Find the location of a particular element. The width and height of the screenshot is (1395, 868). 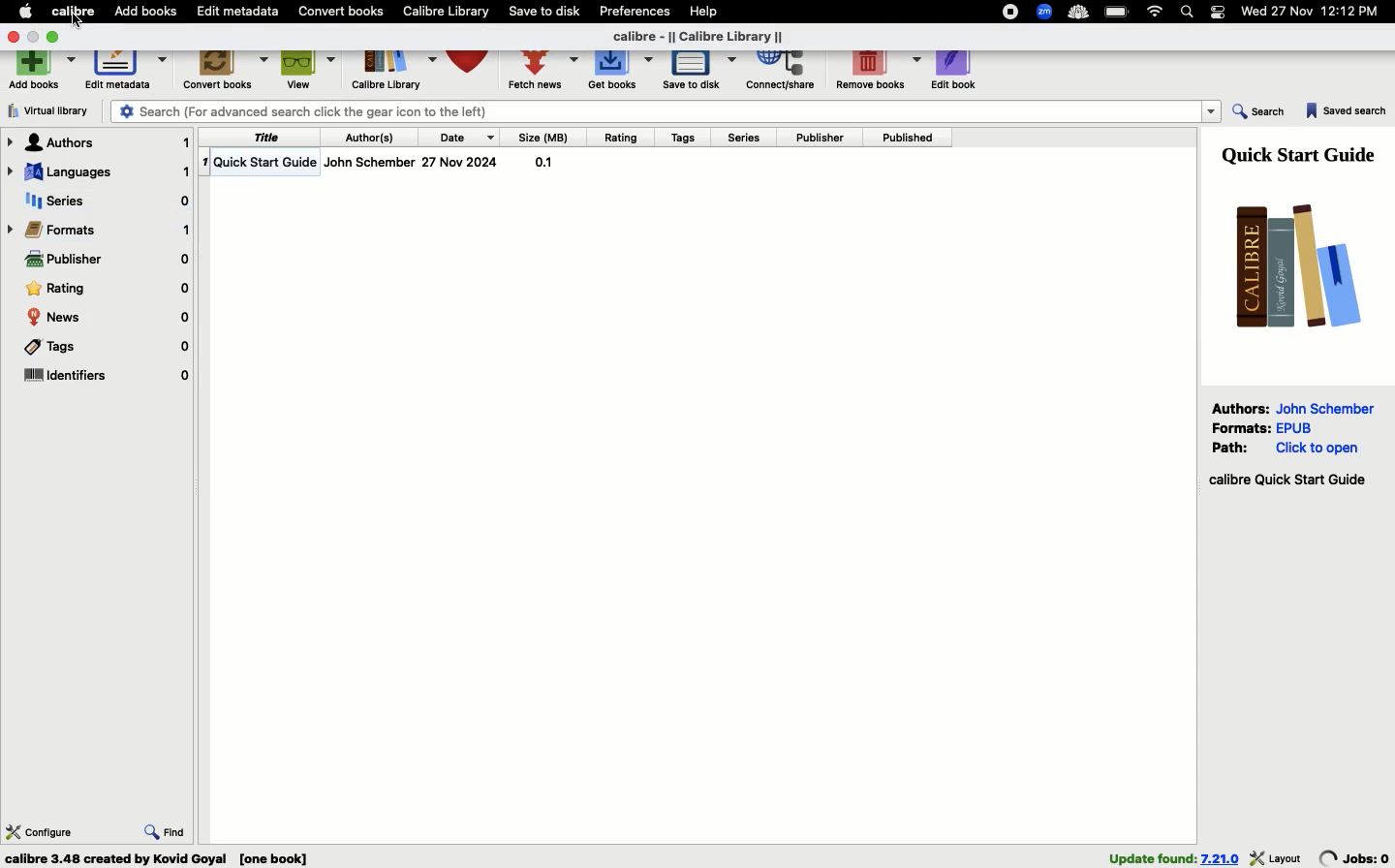

Edit book is located at coordinates (962, 71).